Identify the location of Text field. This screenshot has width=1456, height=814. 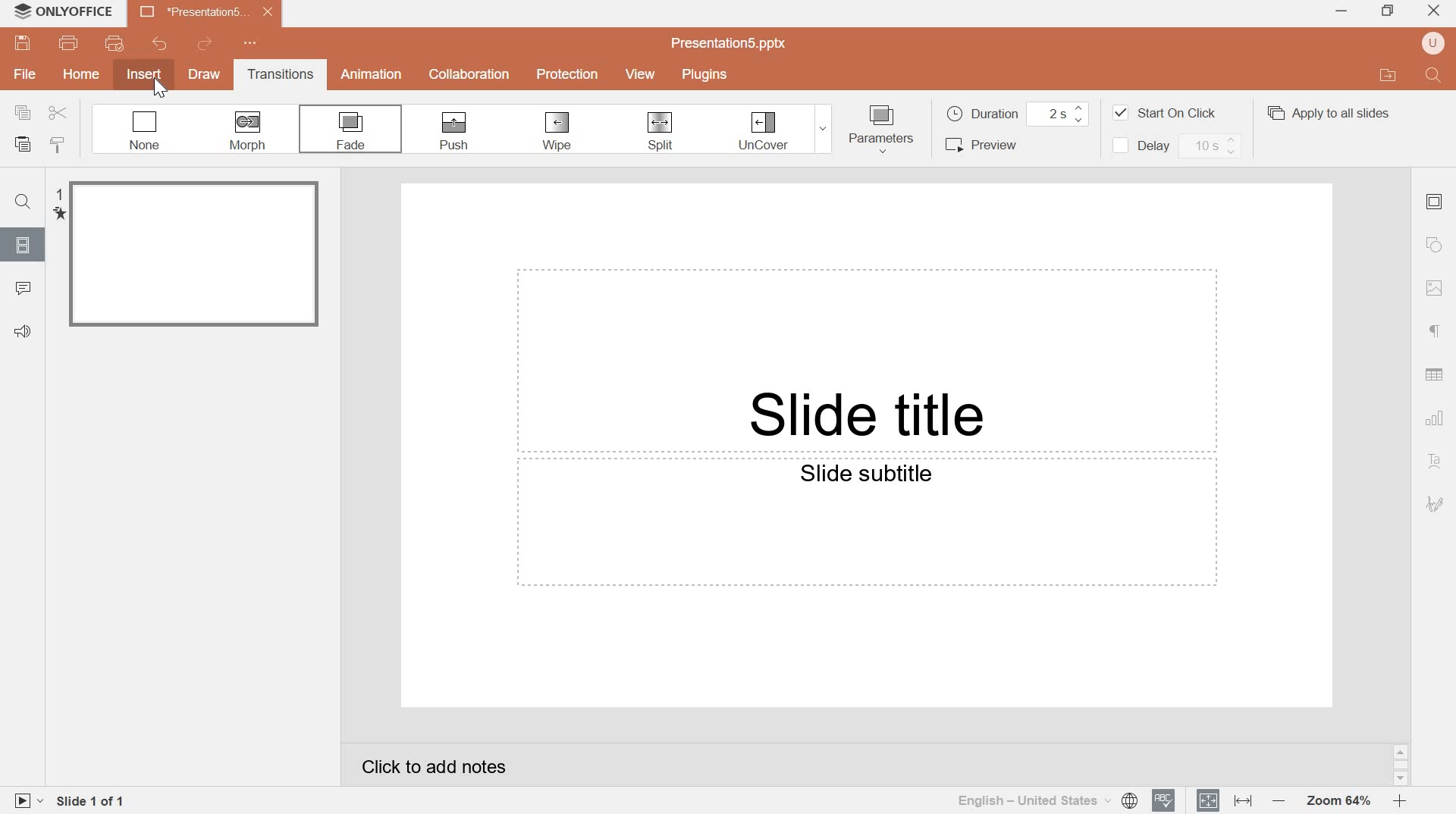
(865, 524).